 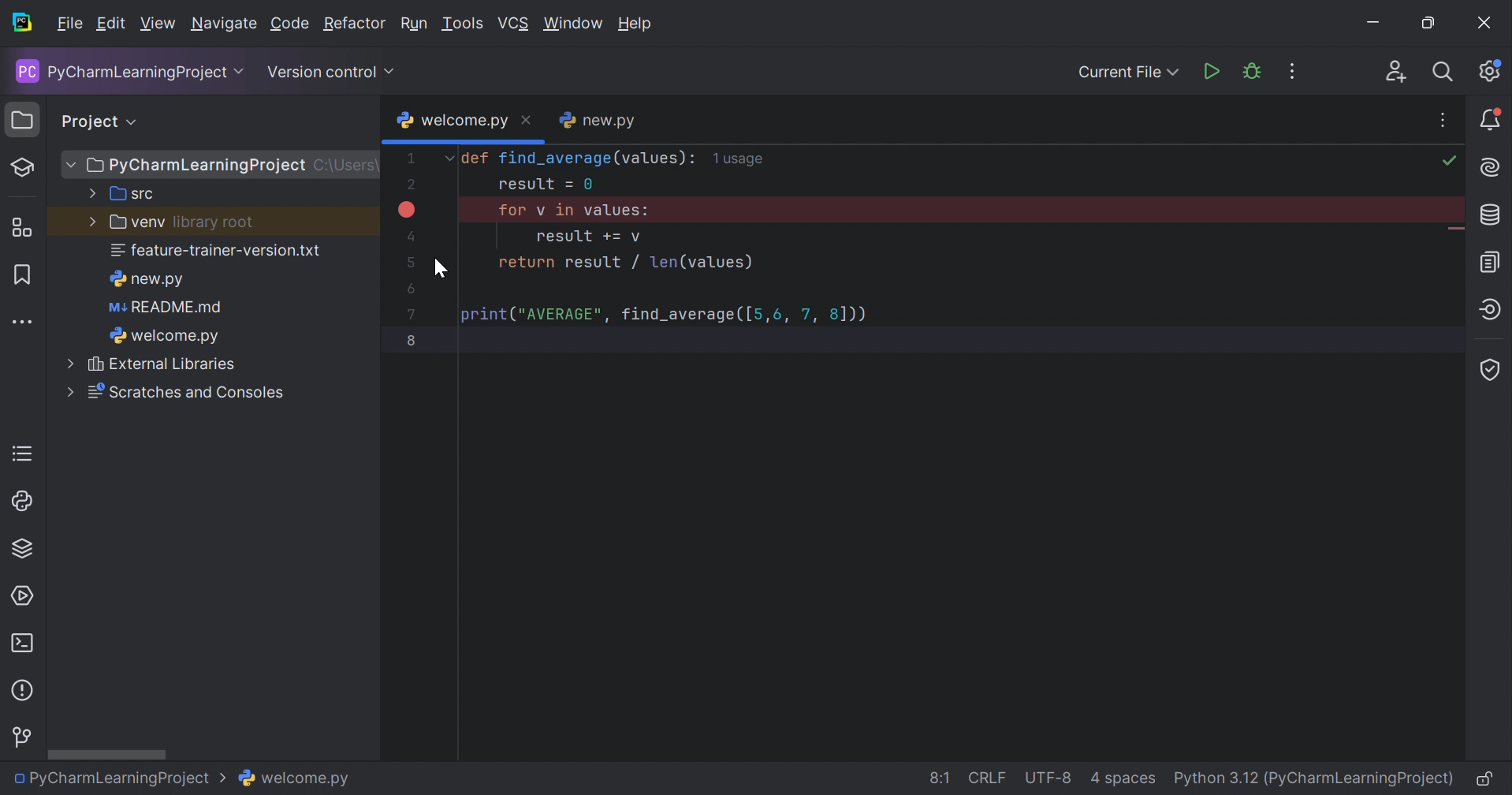 I want to click on 8:1, so click(x=940, y=776).